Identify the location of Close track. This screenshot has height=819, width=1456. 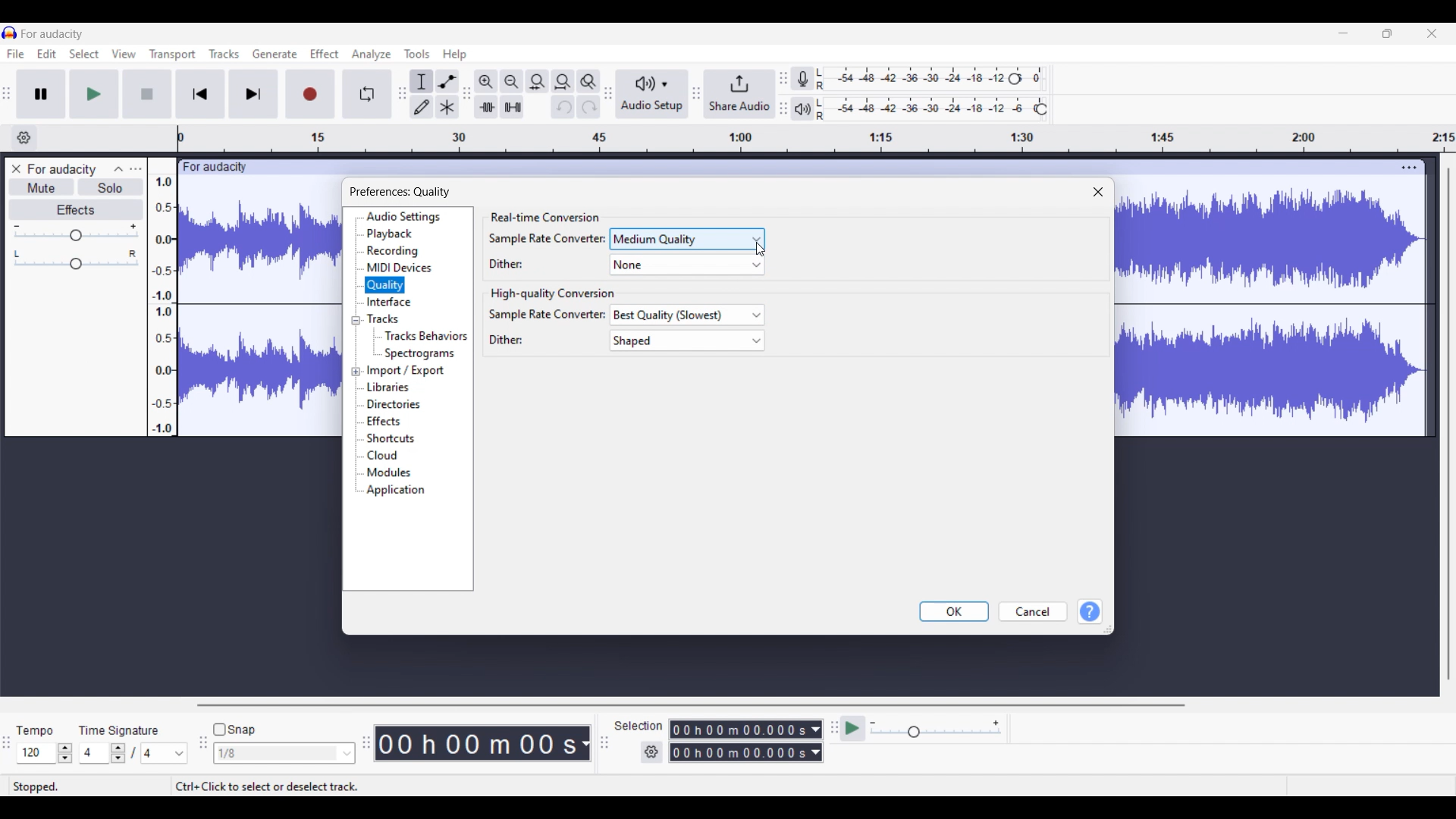
(16, 169).